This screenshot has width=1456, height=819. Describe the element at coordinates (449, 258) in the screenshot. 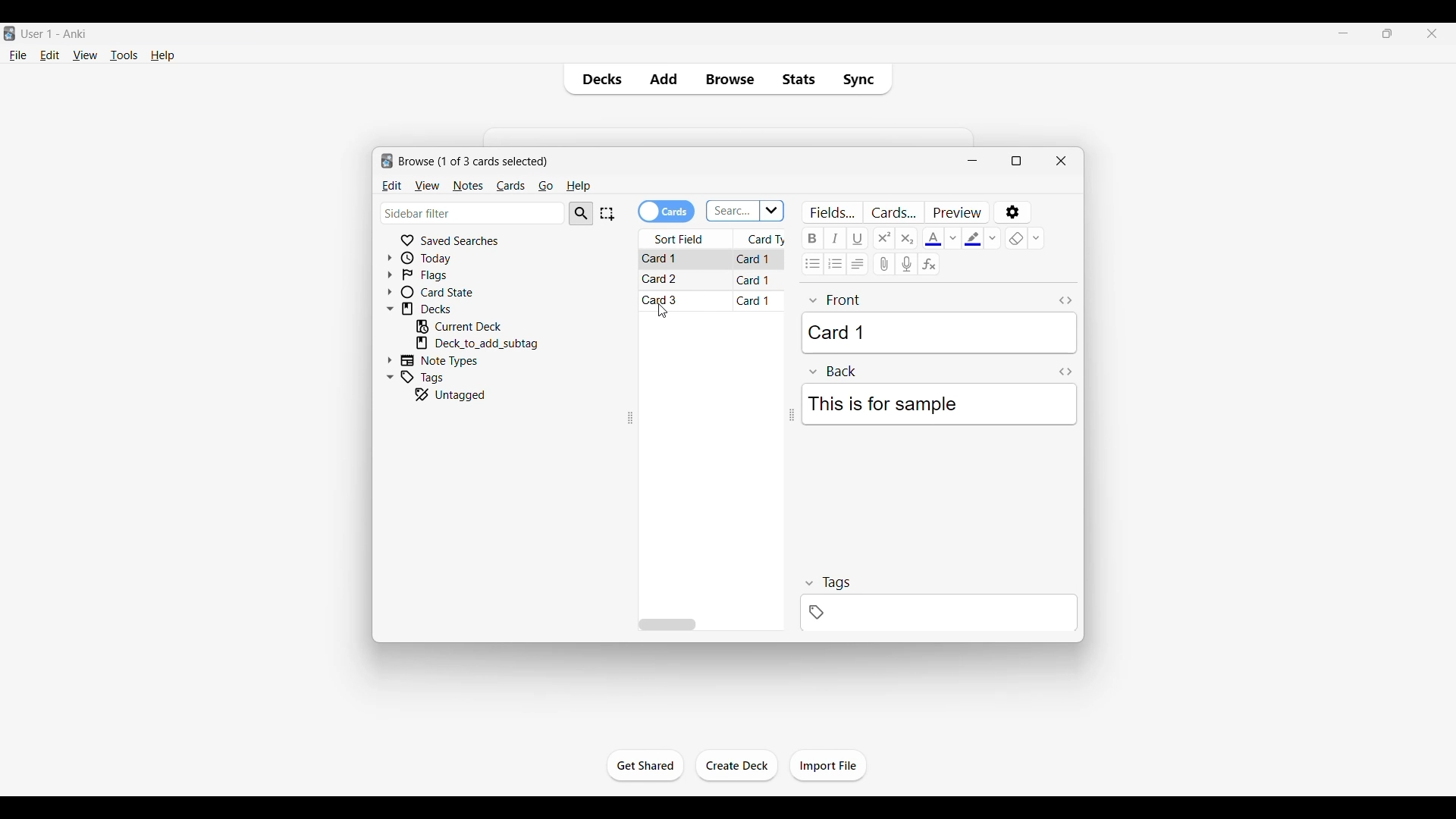

I see `Click to go to Today` at that location.